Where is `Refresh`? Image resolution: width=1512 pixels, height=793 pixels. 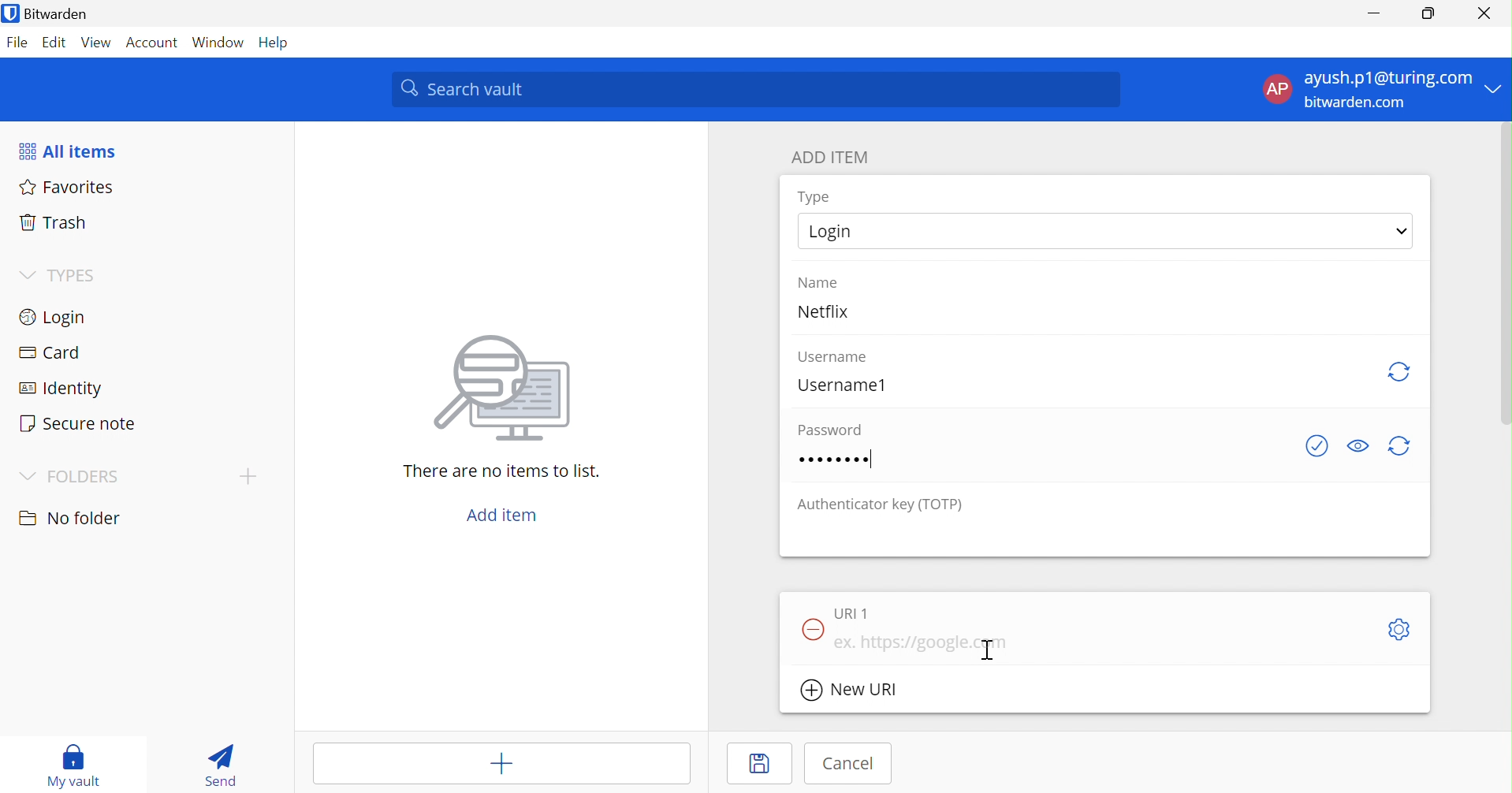 Refresh is located at coordinates (1402, 374).